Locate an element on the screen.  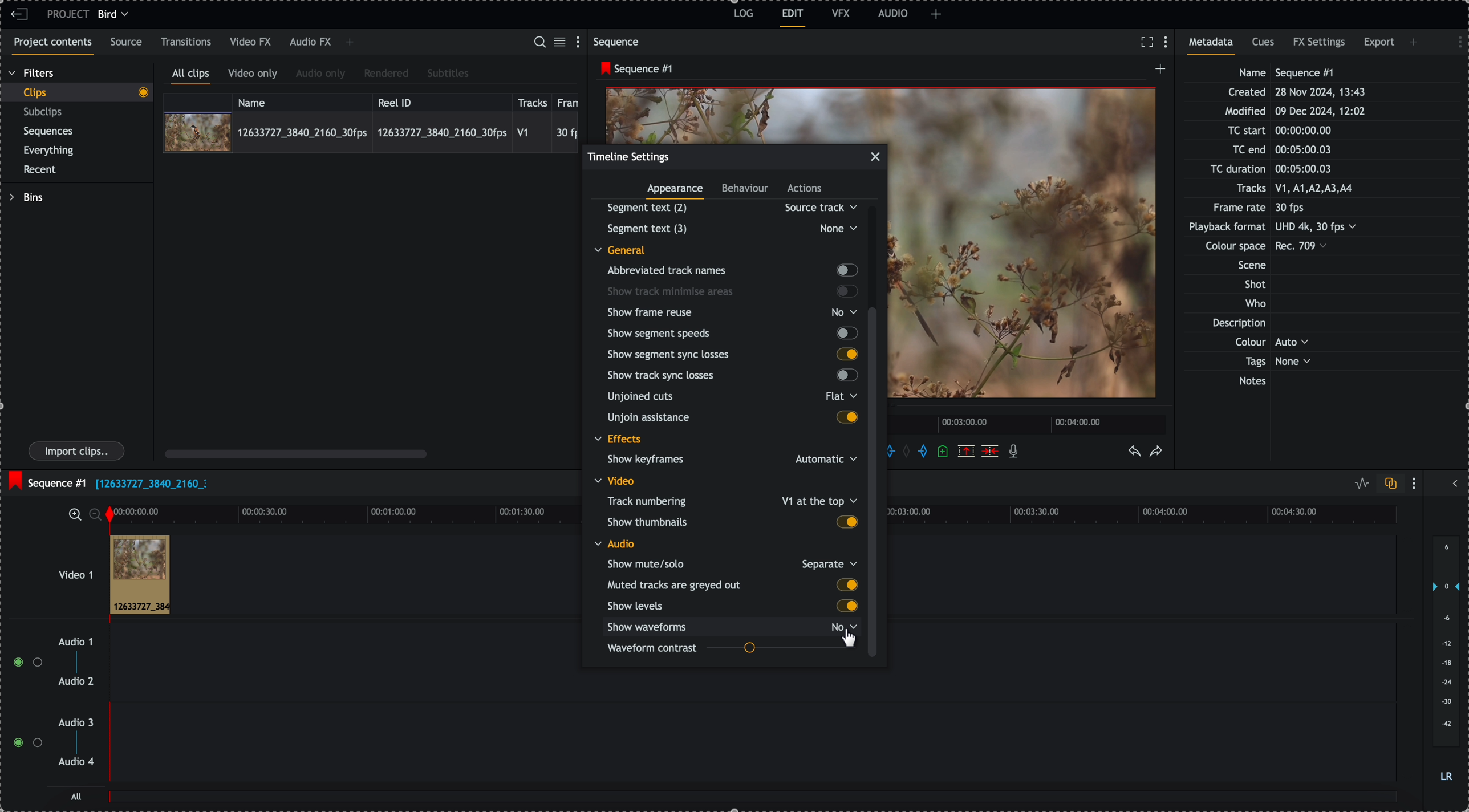
audio is located at coordinates (615, 543).